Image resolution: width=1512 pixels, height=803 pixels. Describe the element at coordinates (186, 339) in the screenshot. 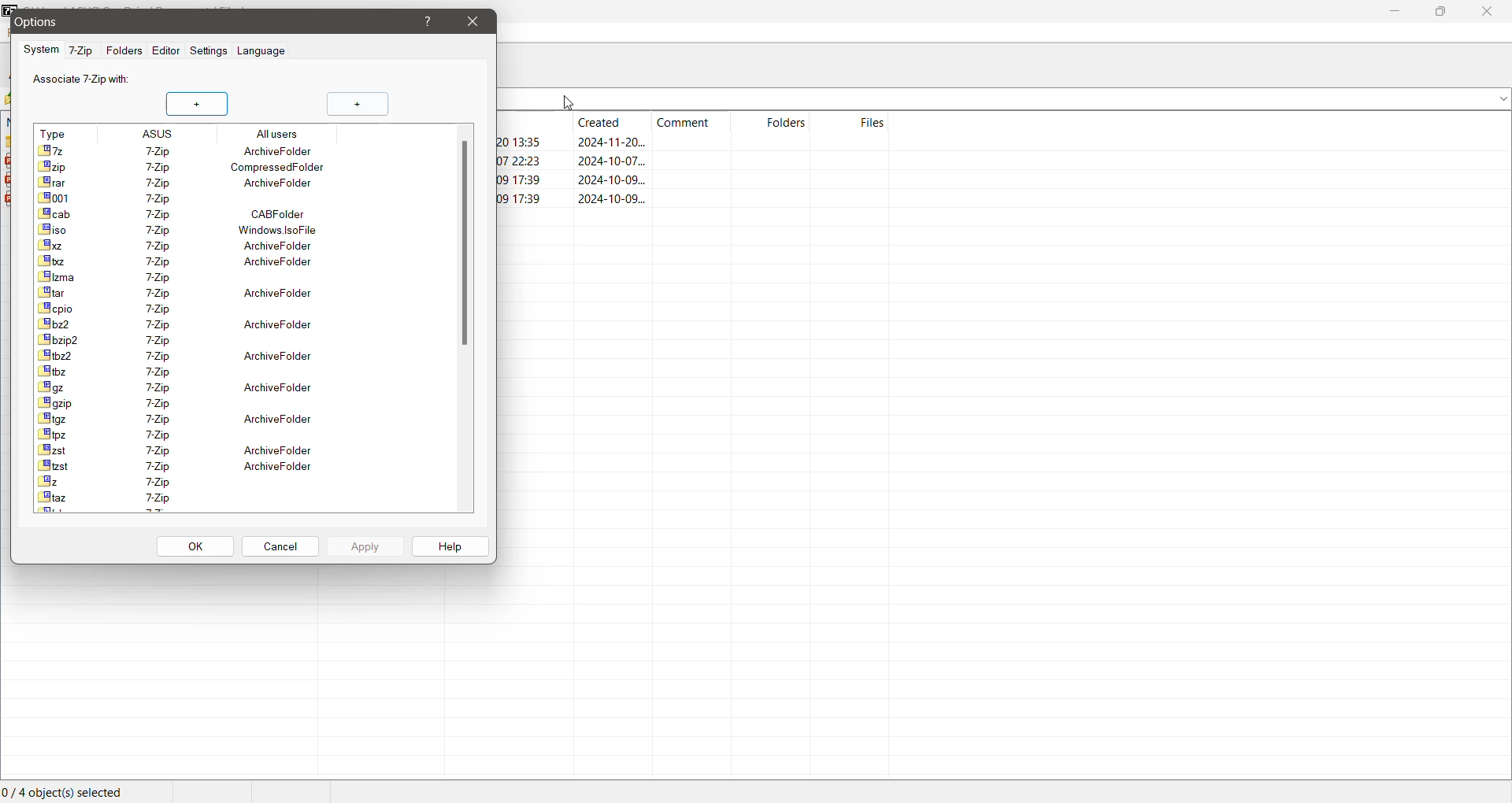

I see `Available system details` at that location.